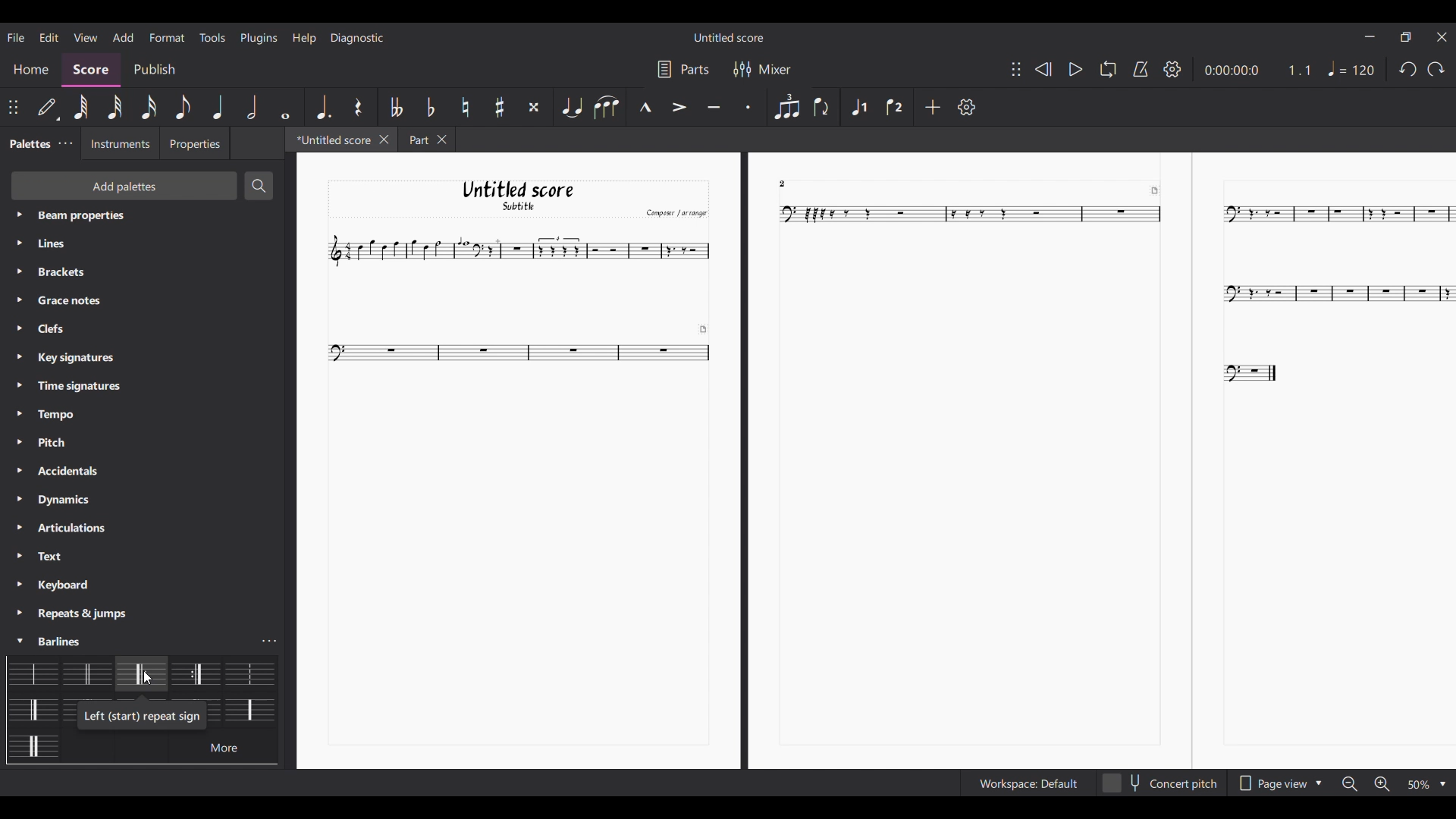 Image resolution: width=1456 pixels, height=819 pixels. Describe the element at coordinates (118, 143) in the screenshot. I see `Instruments tab` at that location.